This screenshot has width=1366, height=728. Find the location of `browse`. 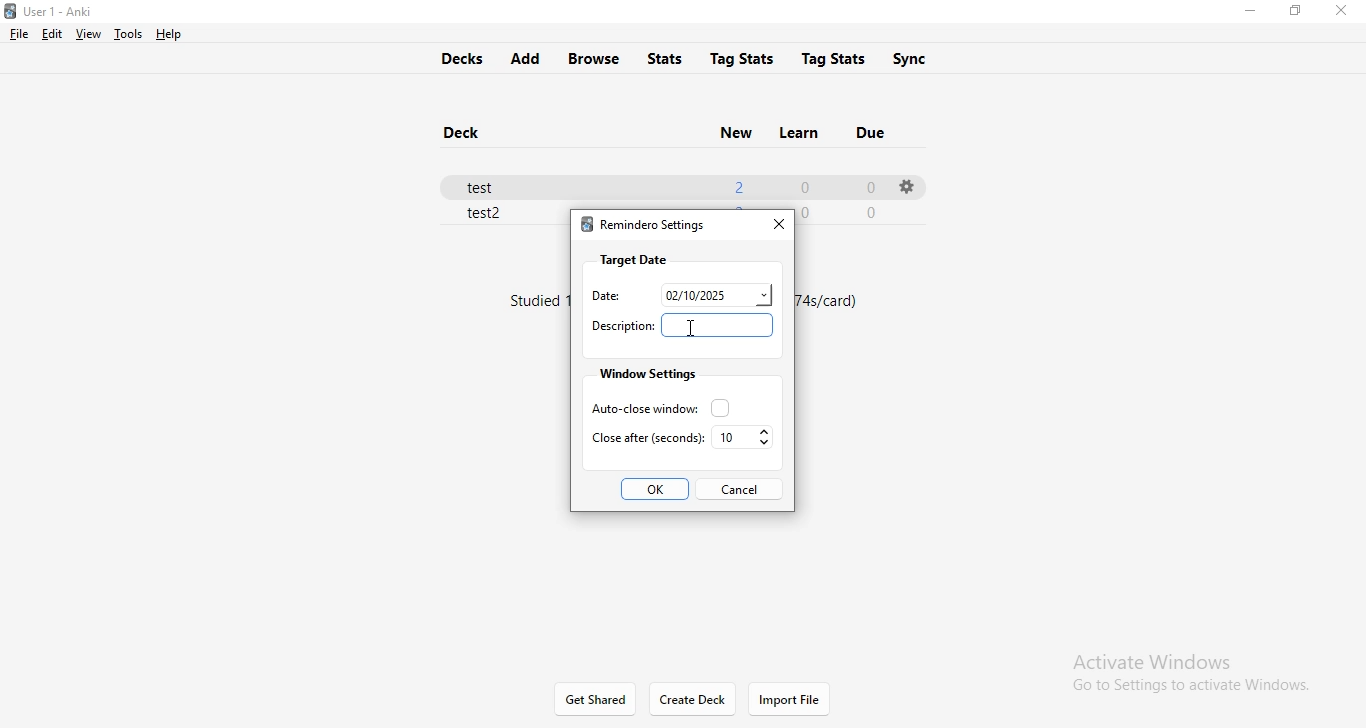

browse is located at coordinates (596, 58).